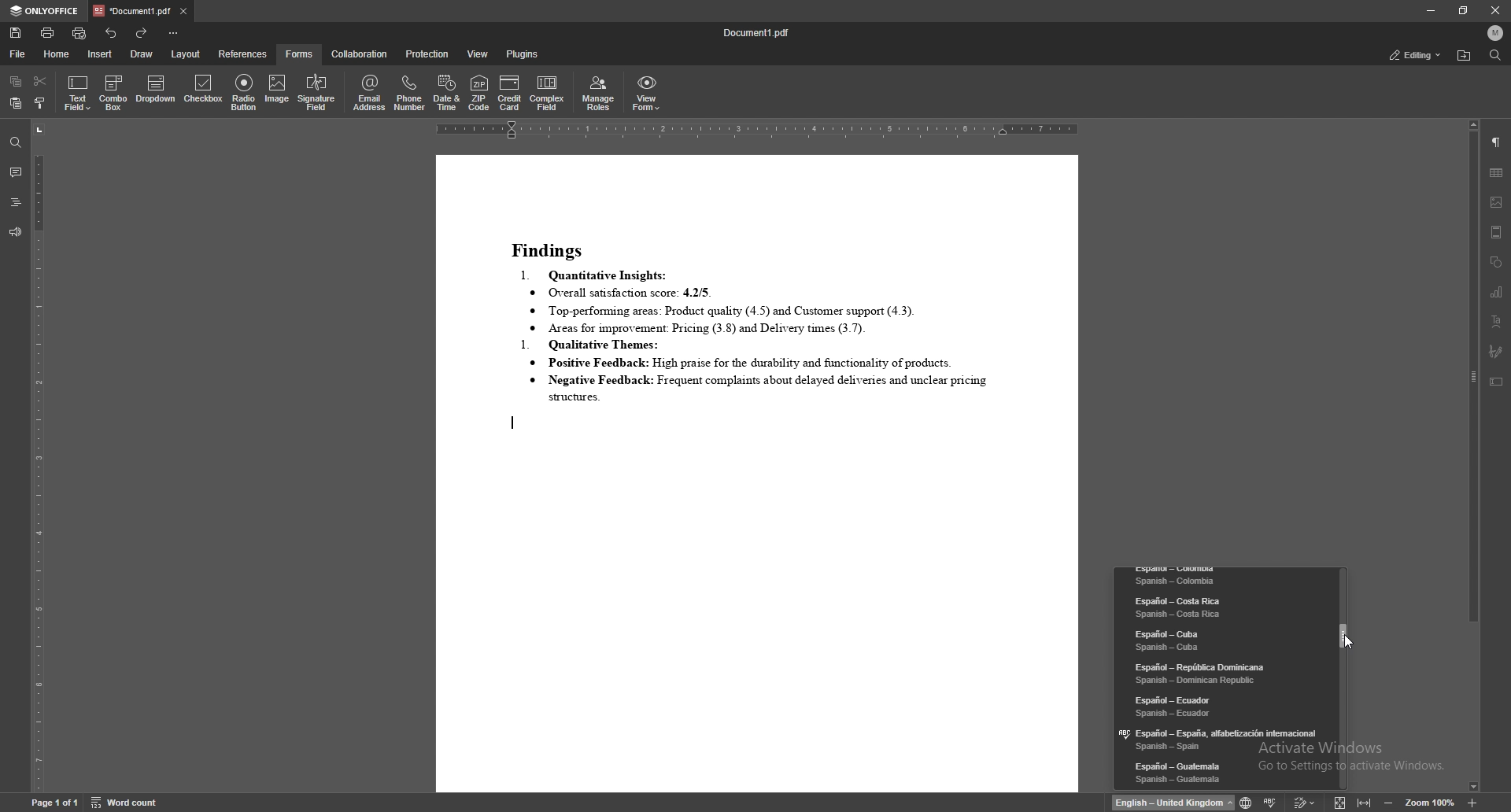  Describe the element at coordinates (1472, 803) in the screenshot. I see `zoom in` at that location.